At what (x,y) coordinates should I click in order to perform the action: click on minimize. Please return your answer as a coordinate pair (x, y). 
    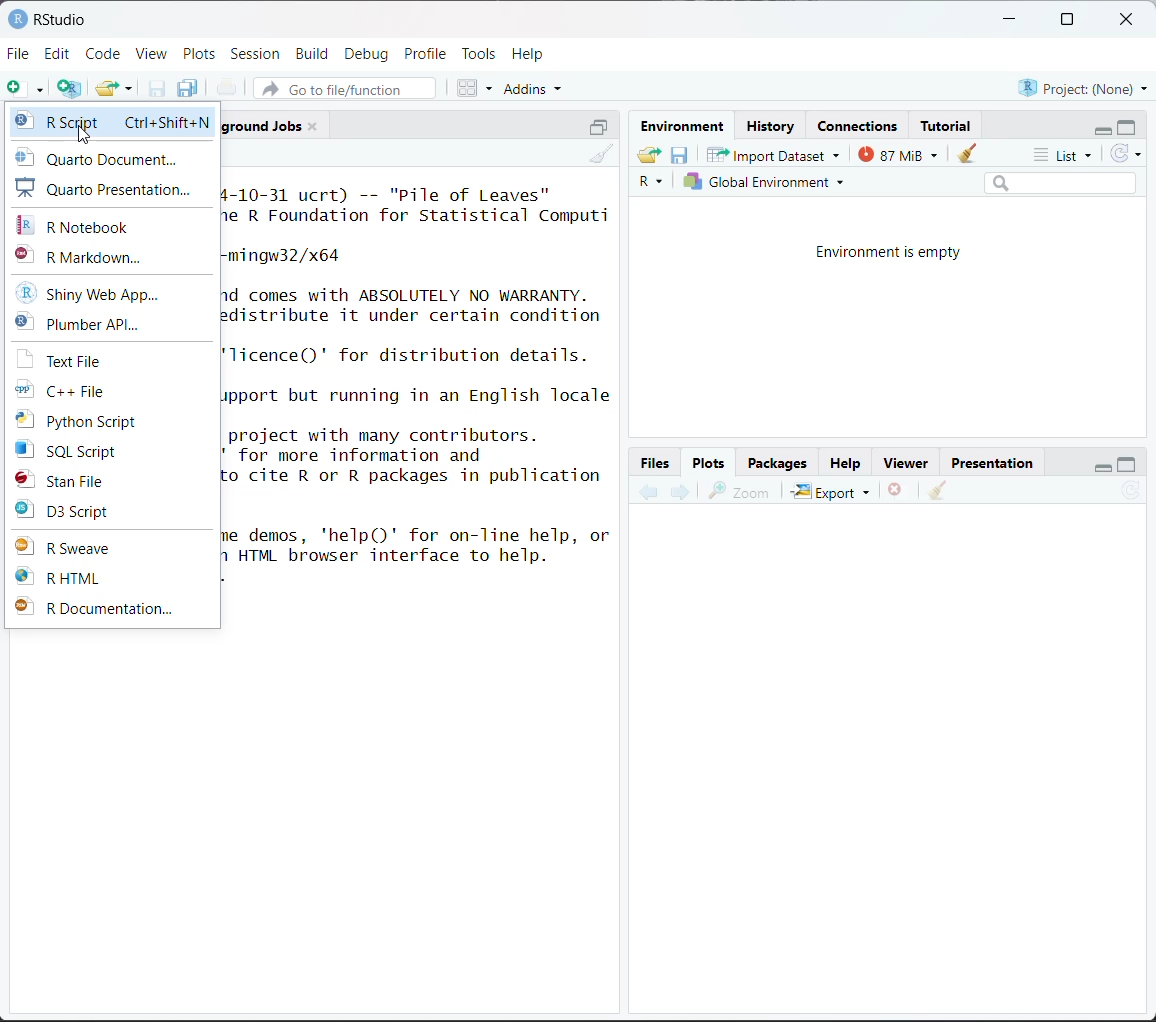
    Looking at the image, I should click on (1099, 128).